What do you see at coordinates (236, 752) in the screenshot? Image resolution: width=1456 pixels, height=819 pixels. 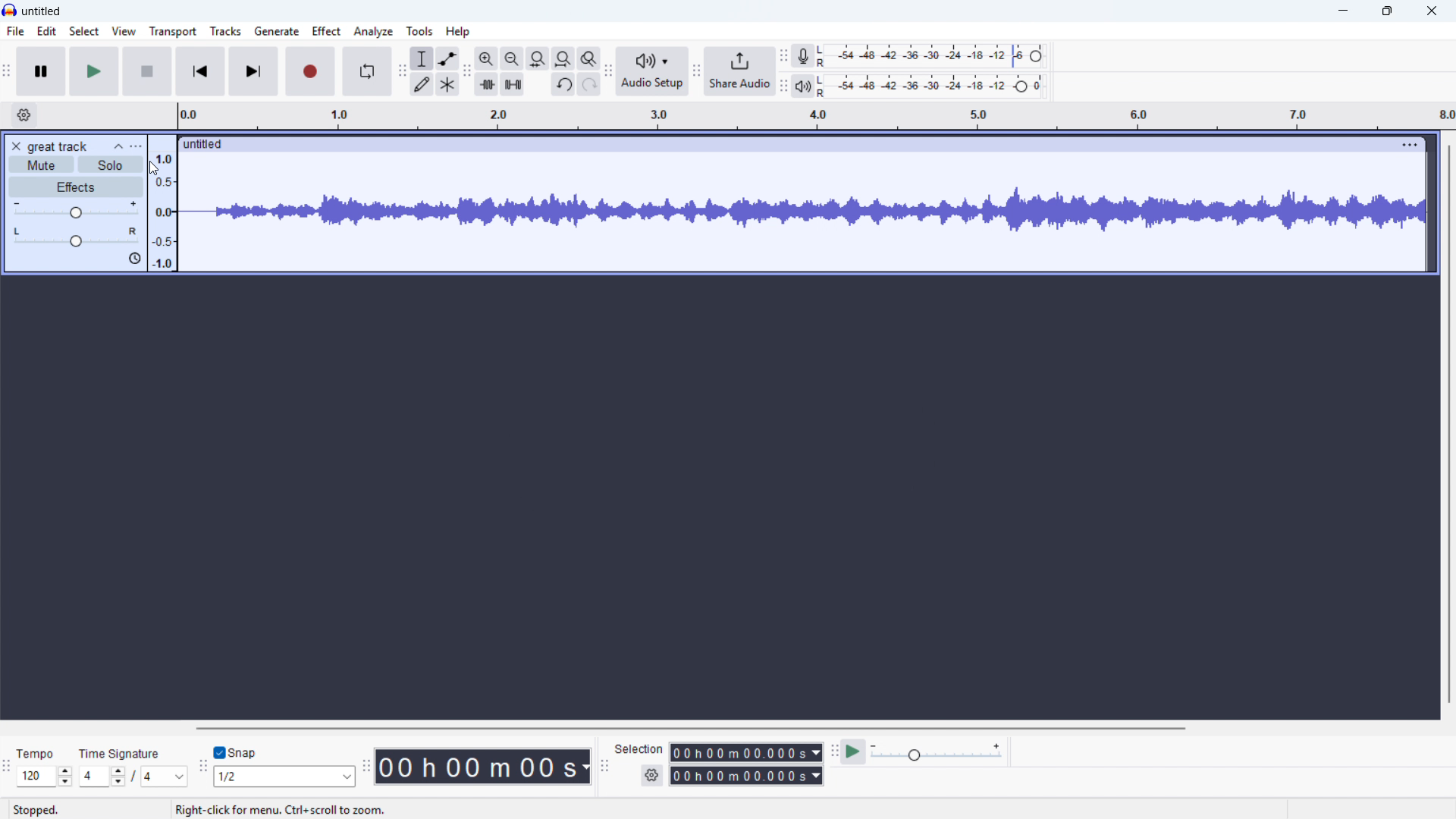 I see `Toggle snap ` at bounding box center [236, 752].